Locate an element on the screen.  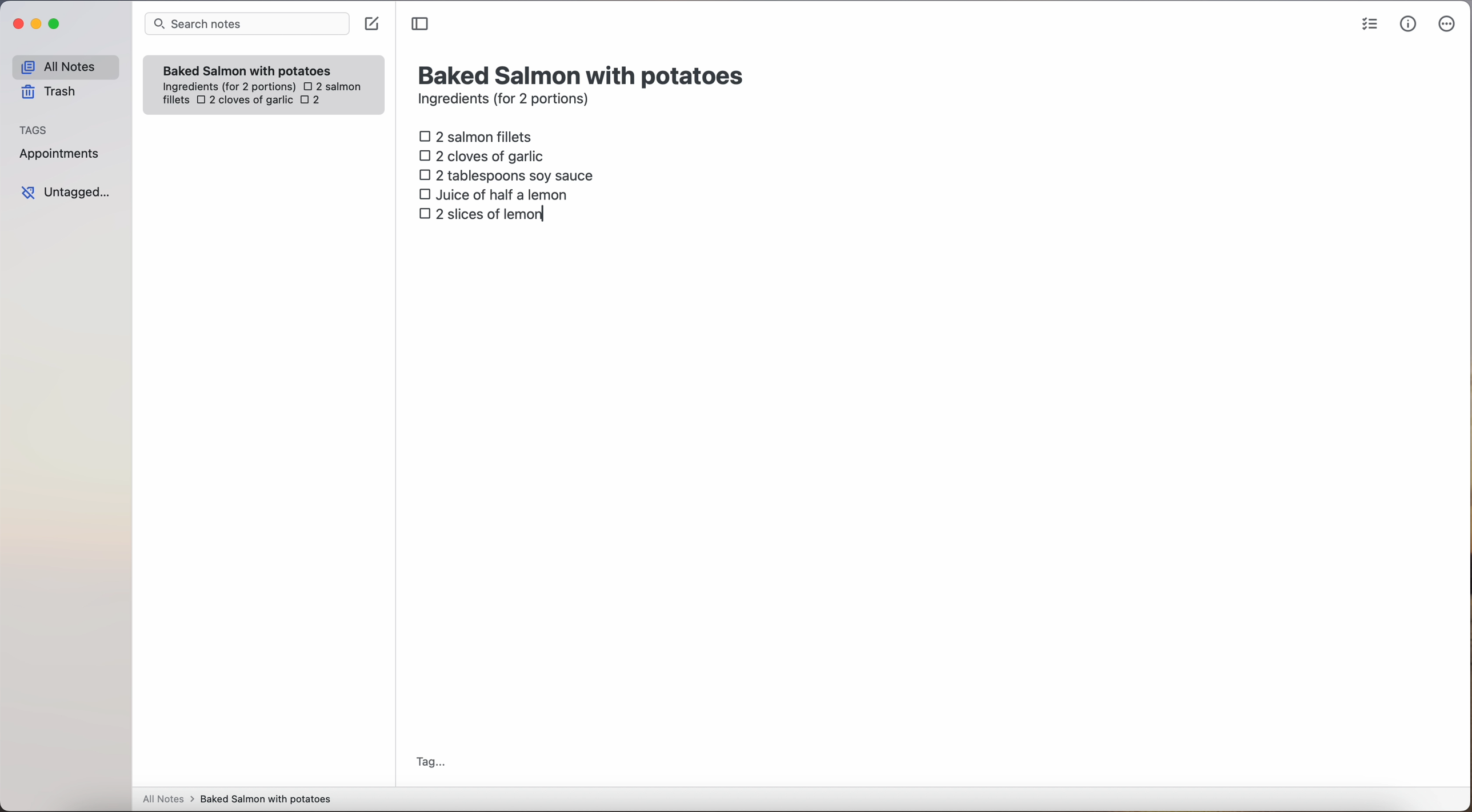
2 cloves of garlic is located at coordinates (485, 154).